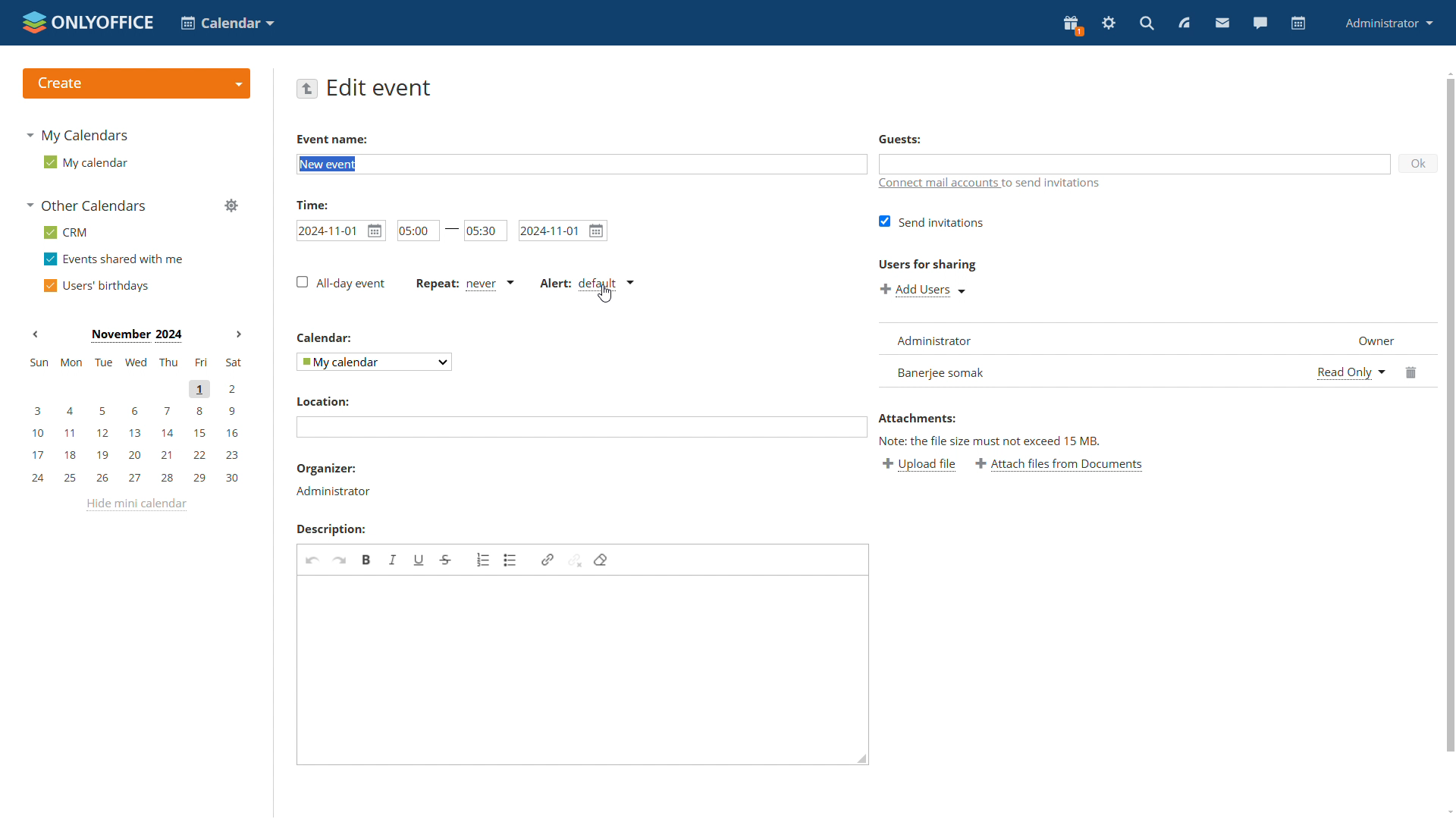  What do you see at coordinates (1135, 163) in the screenshot?
I see `add guests` at bounding box center [1135, 163].